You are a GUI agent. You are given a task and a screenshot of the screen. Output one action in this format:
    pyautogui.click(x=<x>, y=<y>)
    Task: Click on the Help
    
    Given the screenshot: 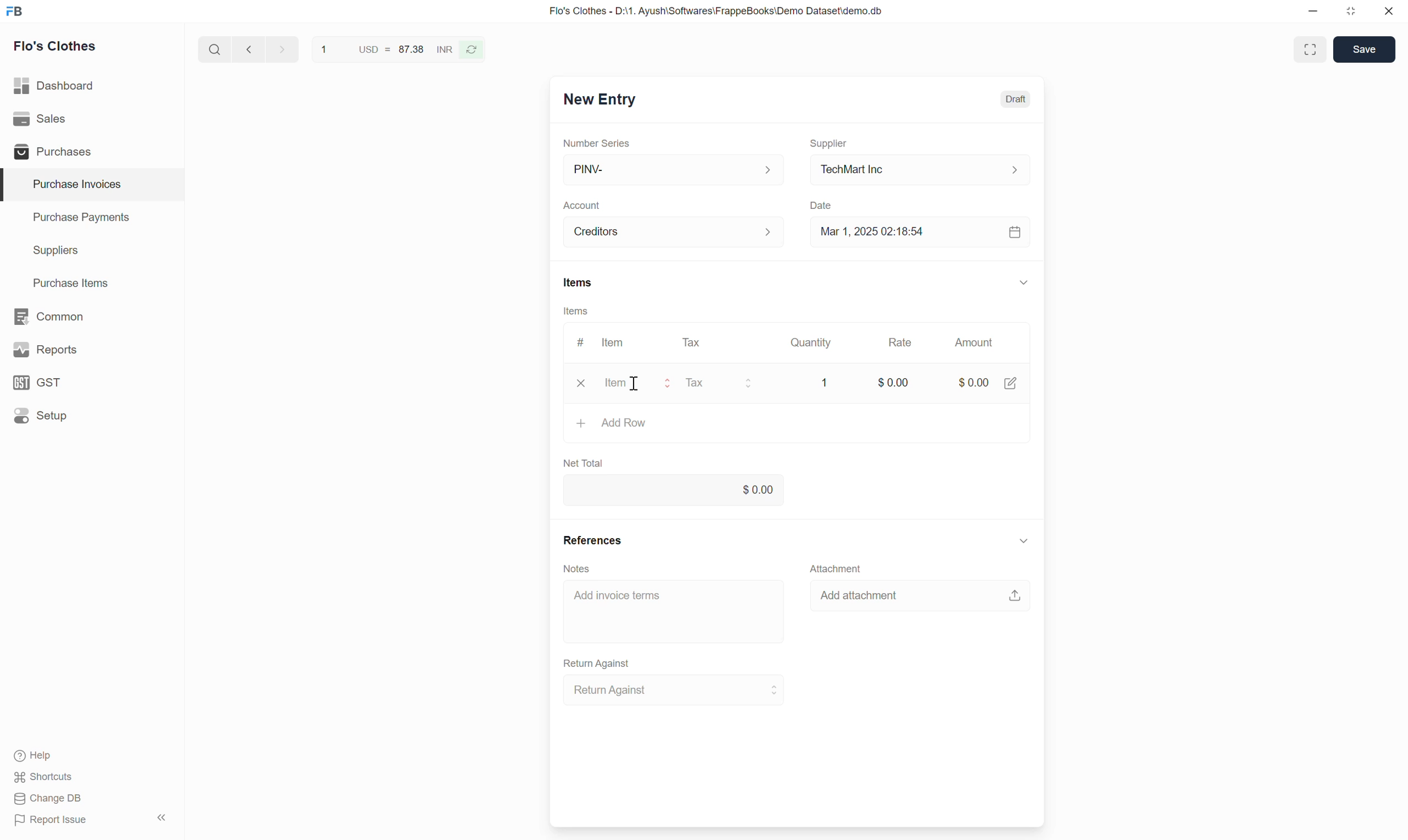 What is the action you would take?
    pyautogui.click(x=38, y=756)
    